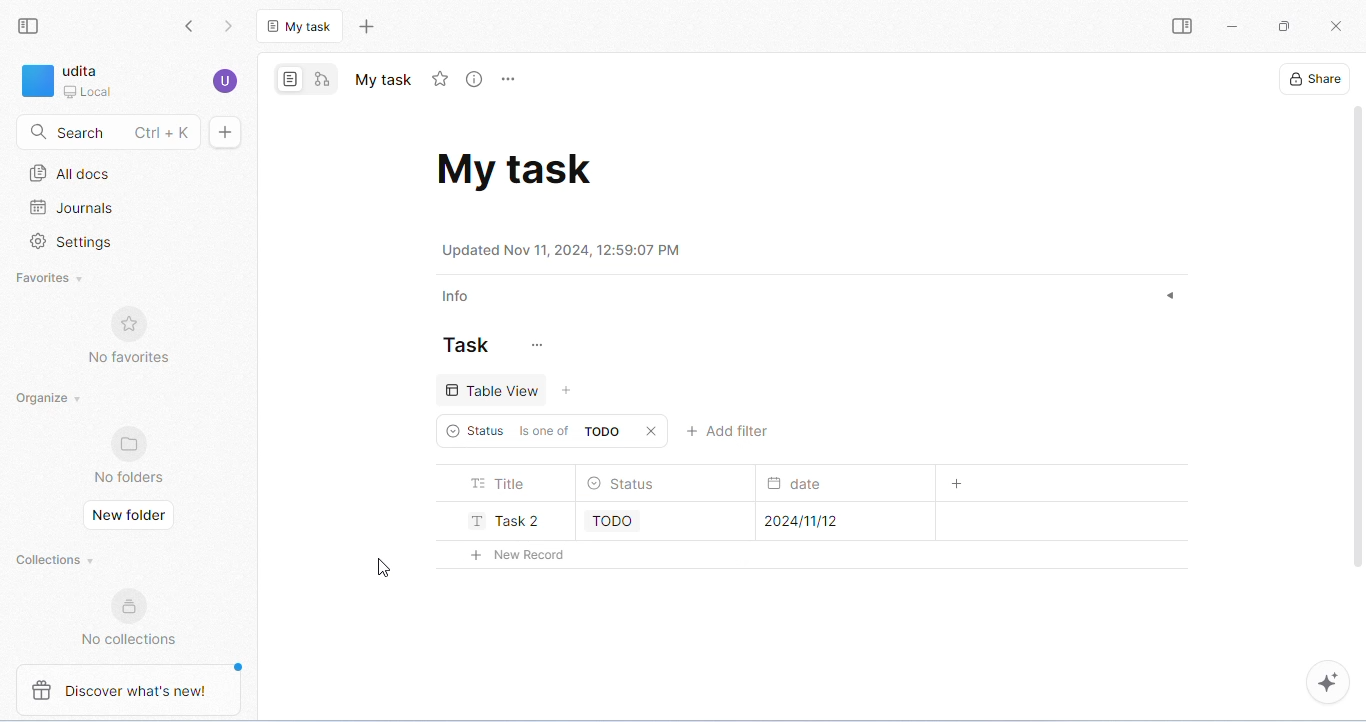 This screenshot has height=722, width=1366. What do you see at coordinates (127, 336) in the screenshot?
I see `no favorites` at bounding box center [127, 336].